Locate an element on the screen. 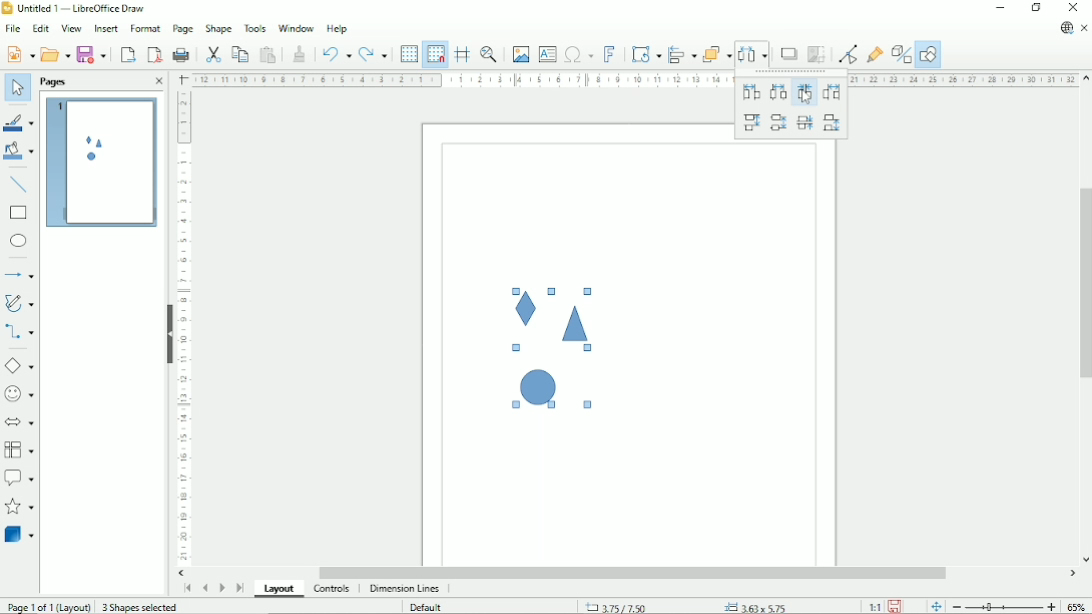  Horizontal scrollbar is located at coordinates (635, 573).